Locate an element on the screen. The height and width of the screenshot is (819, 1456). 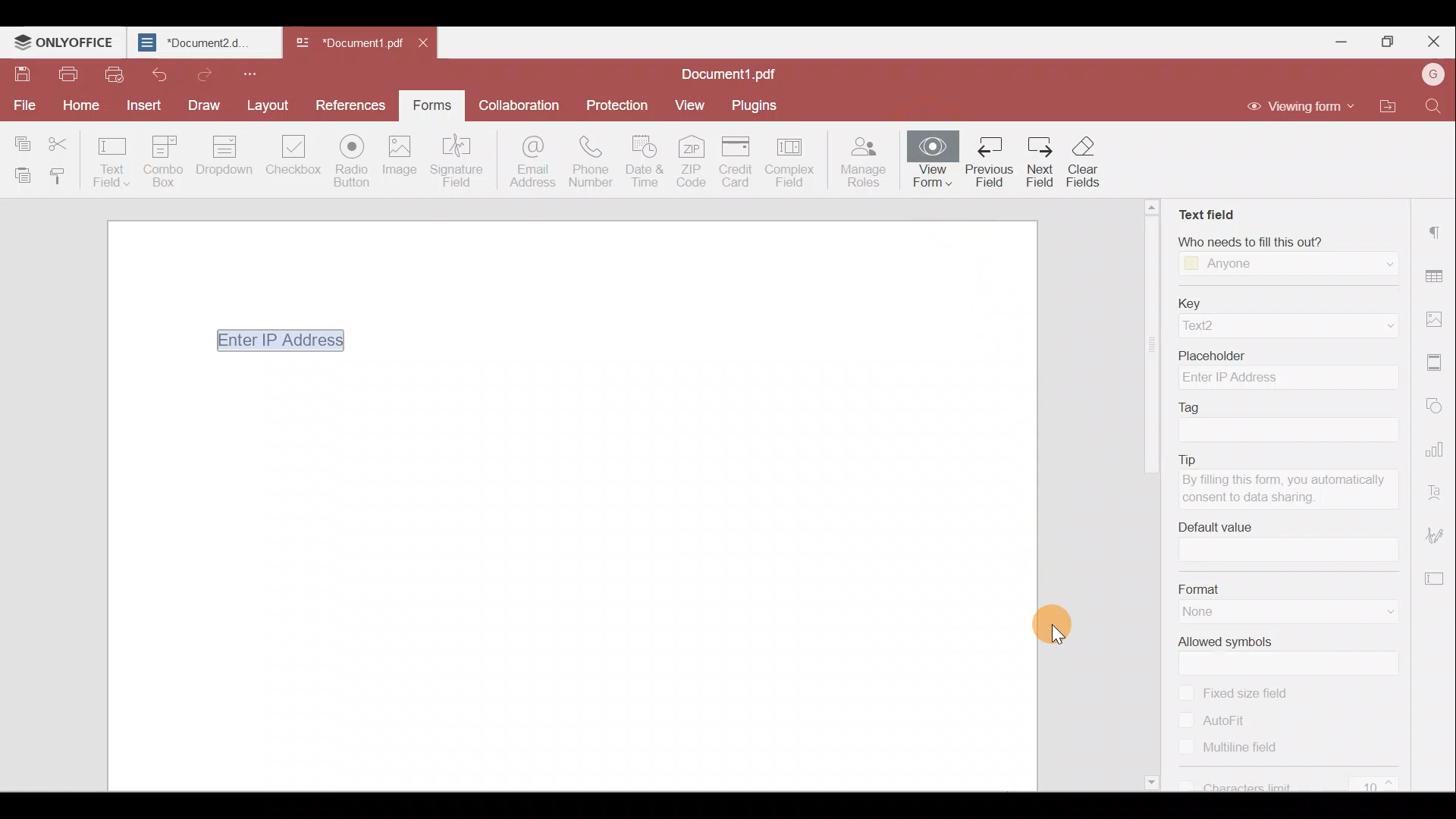
Paste is located at coordinates (19, 174).